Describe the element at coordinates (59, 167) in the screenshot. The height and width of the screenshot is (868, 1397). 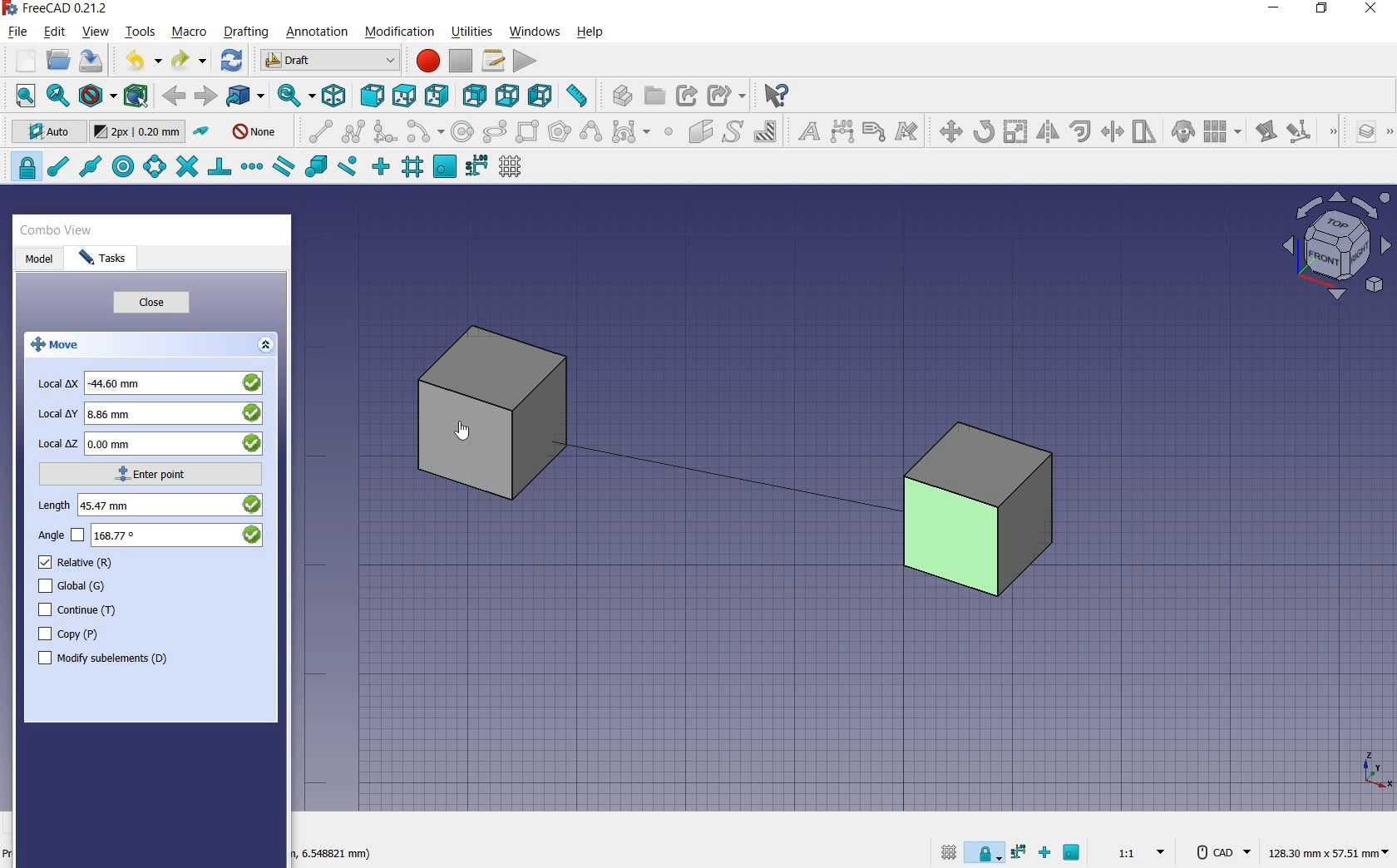
I see `snap endpoint` at that location.